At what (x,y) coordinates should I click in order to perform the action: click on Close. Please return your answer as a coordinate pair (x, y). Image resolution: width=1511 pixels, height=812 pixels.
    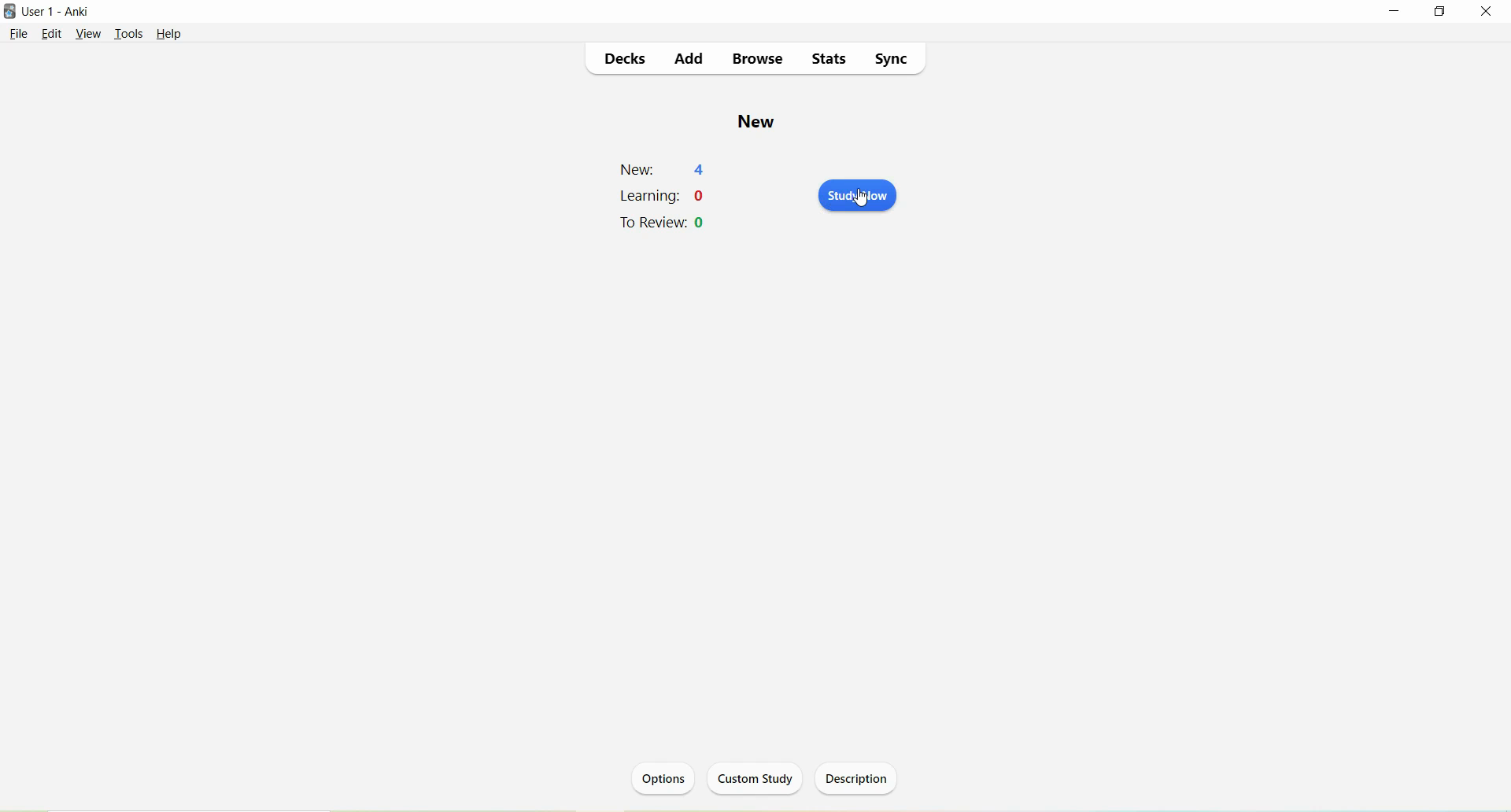
    Looking at the image, I should click on (1487, 11).